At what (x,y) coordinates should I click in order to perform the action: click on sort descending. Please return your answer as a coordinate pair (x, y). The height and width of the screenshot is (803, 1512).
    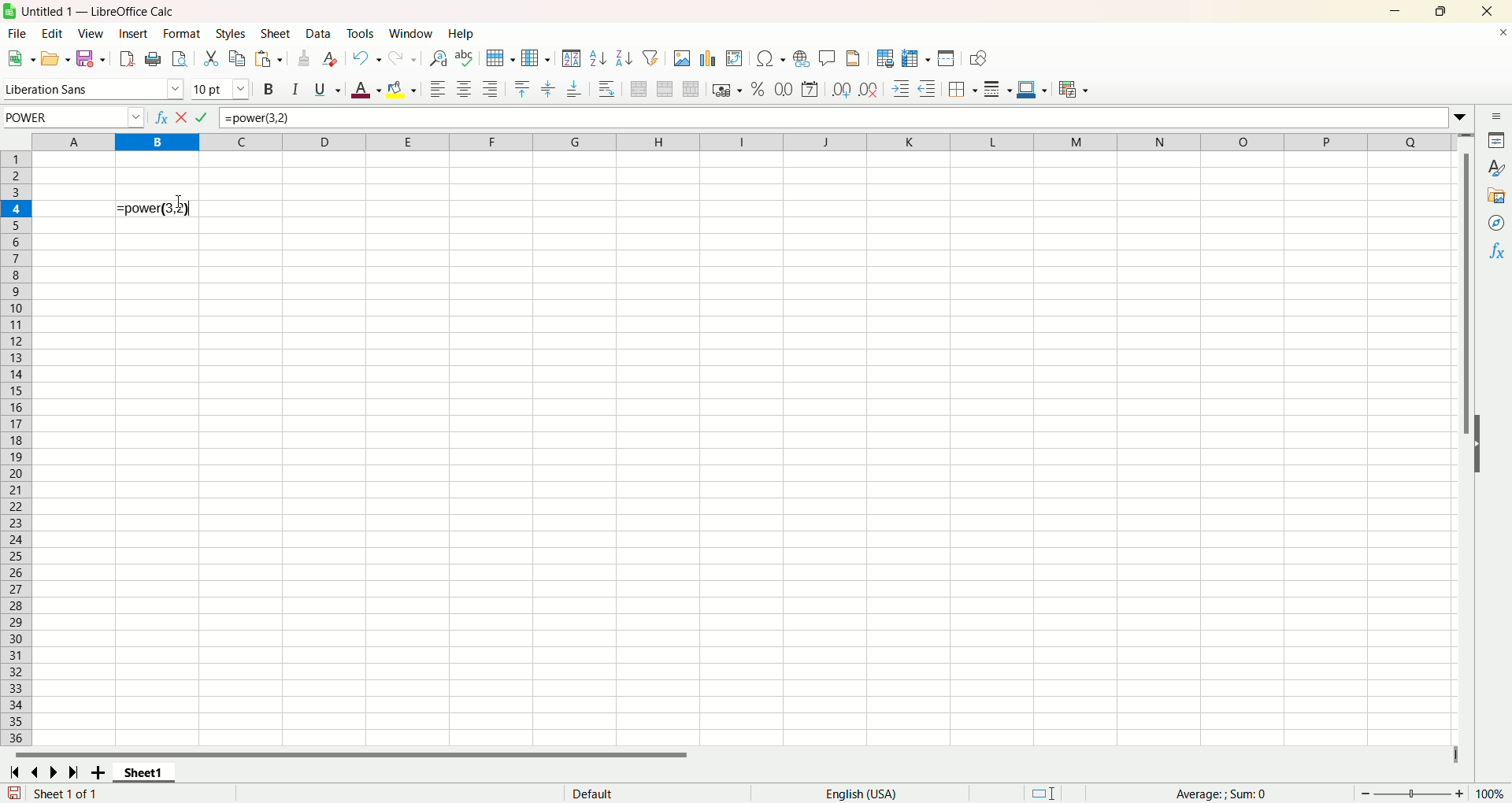
    Looking at the image, I should click on (625, 58).